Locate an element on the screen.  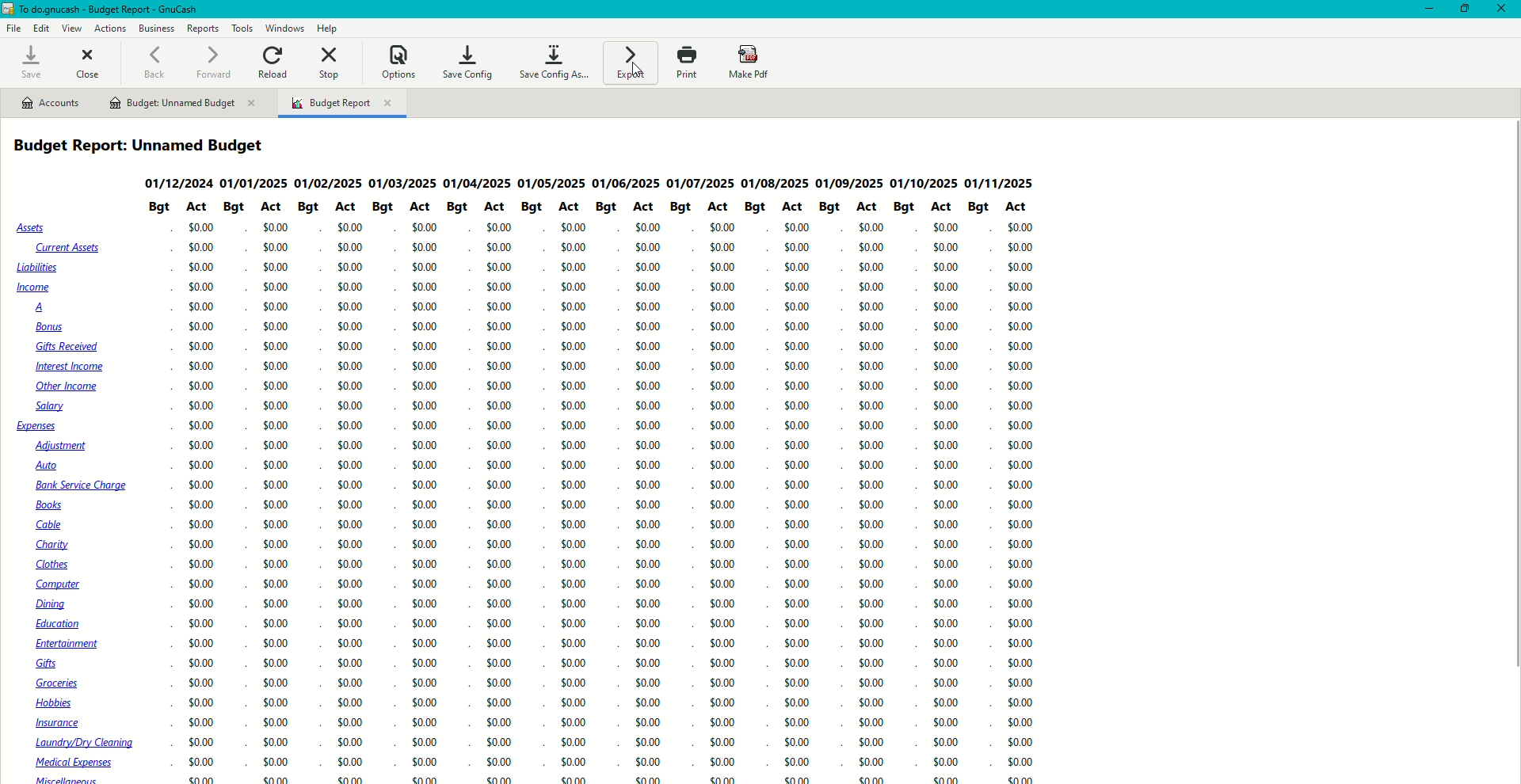
$0.00 is located at coordinates (501, 504).